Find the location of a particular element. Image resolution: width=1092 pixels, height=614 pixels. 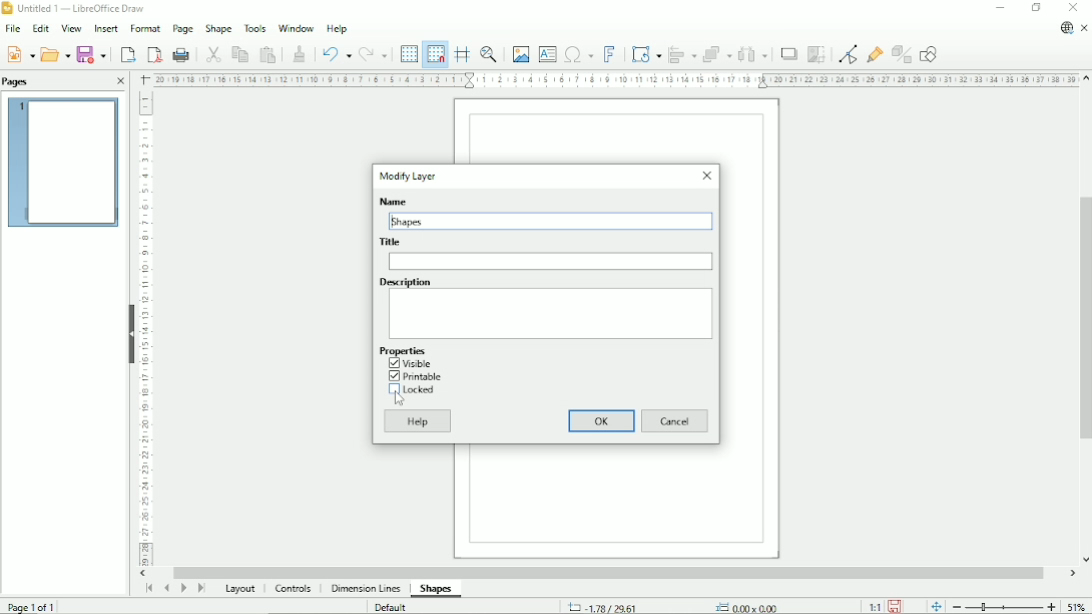

Pages is located at coordinates (19, 82).